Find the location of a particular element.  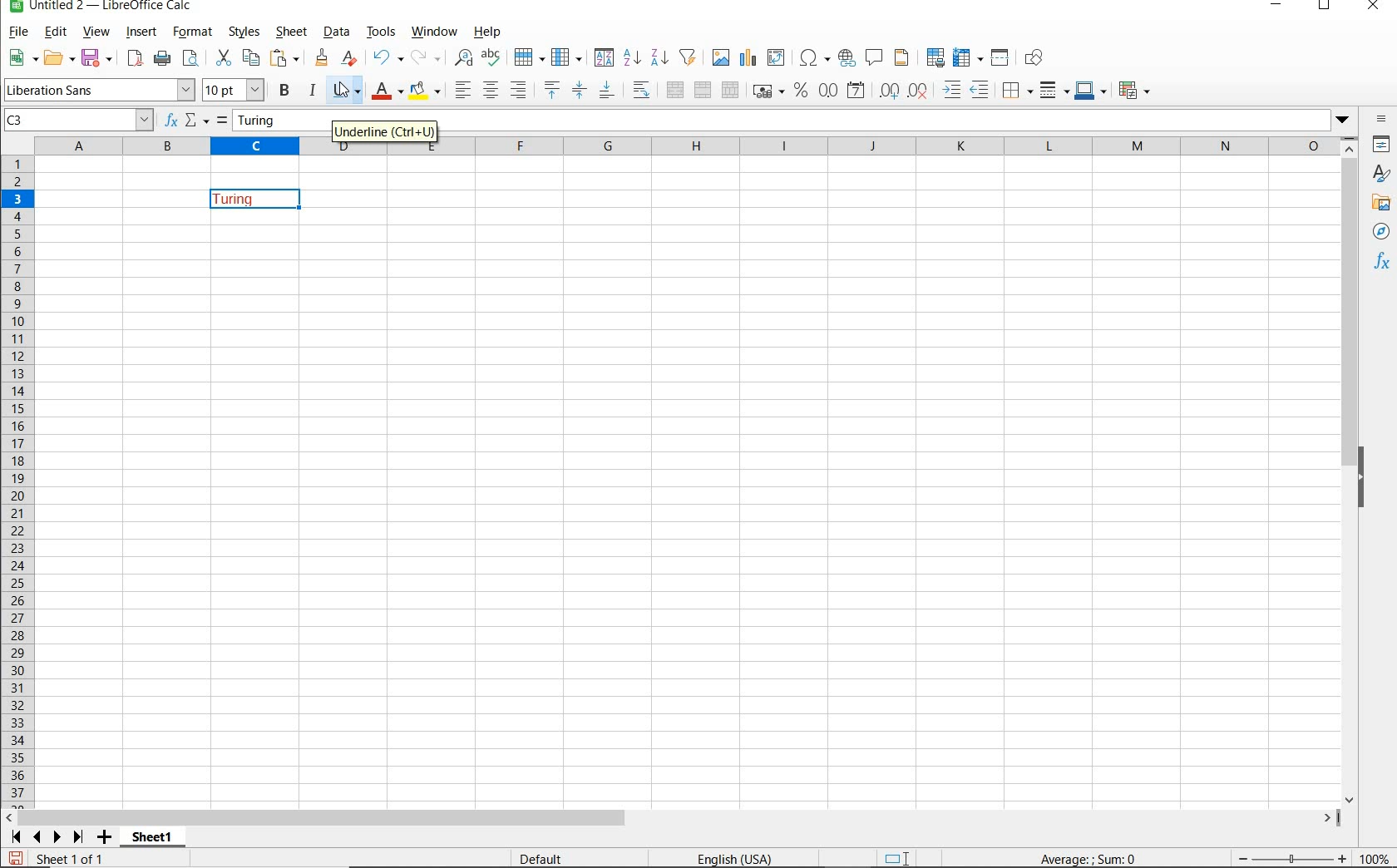

HIDE is located at coordinates (1365, 481).